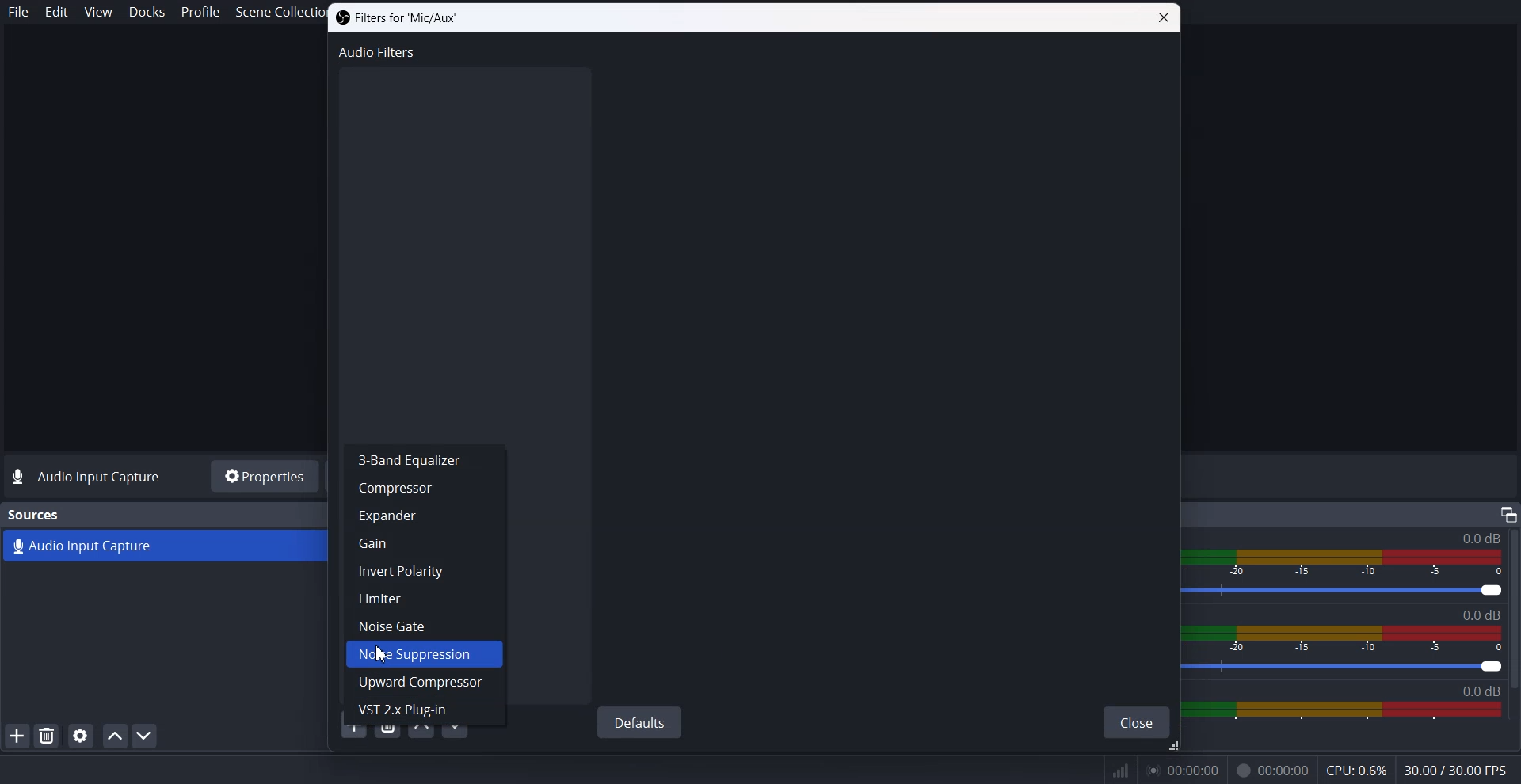  I want to click on Close, so click(1137, 723).